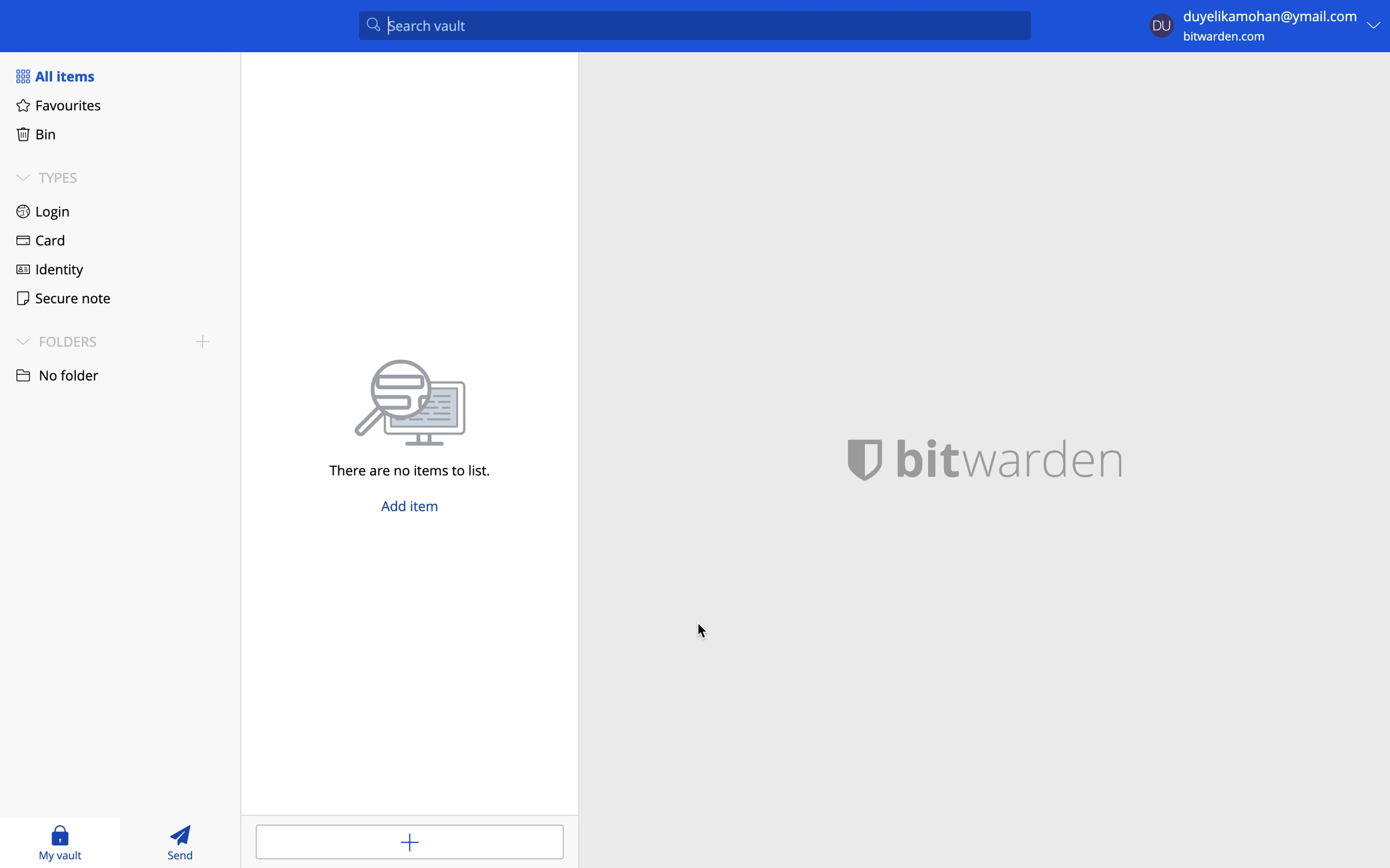 The width and height of the screenshot is (1390, 868). Describe the element at coordinates (65, 108) in the screenshot. I see `favourites` at that location.